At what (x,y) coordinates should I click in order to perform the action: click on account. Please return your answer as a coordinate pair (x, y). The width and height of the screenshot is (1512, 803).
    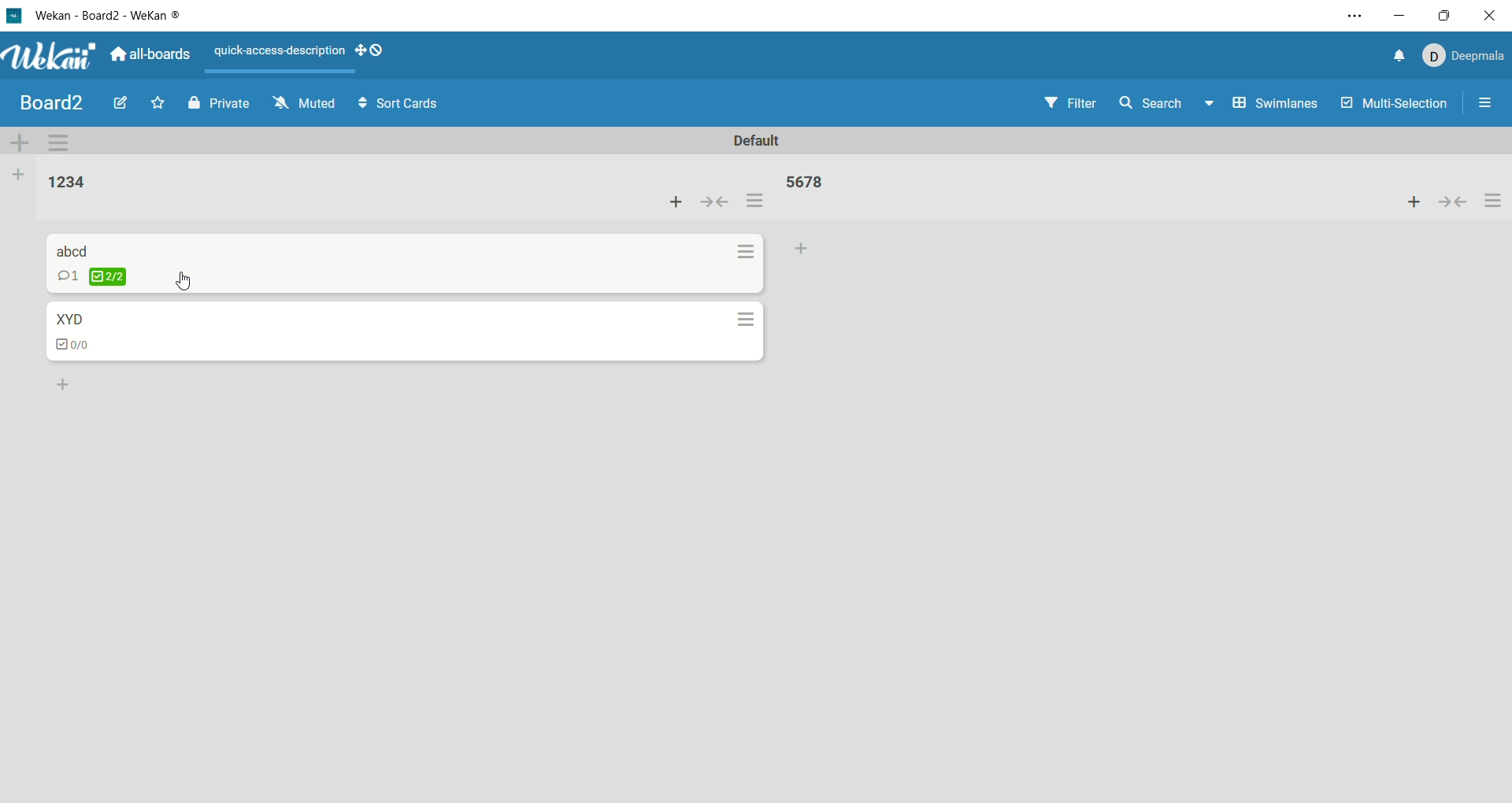
    Looking at the image, I should click on (1461, 56).